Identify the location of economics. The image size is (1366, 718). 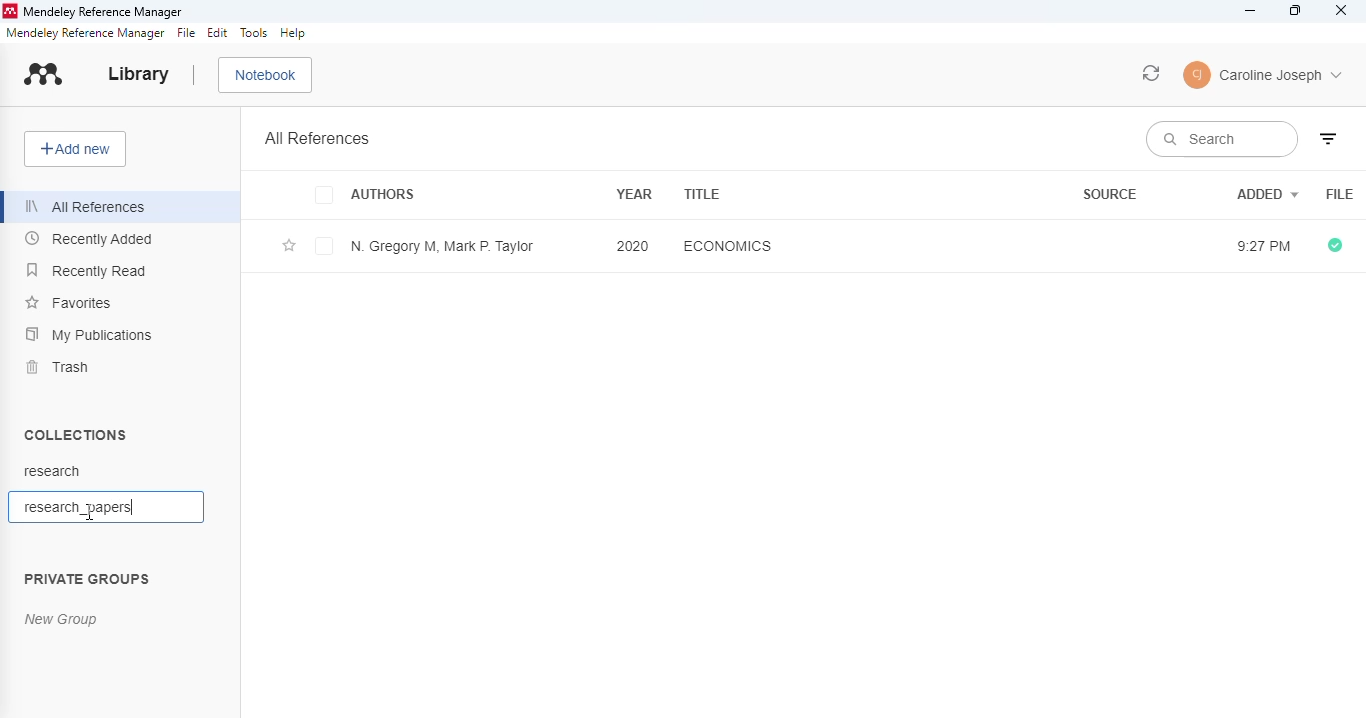
(727, 245).